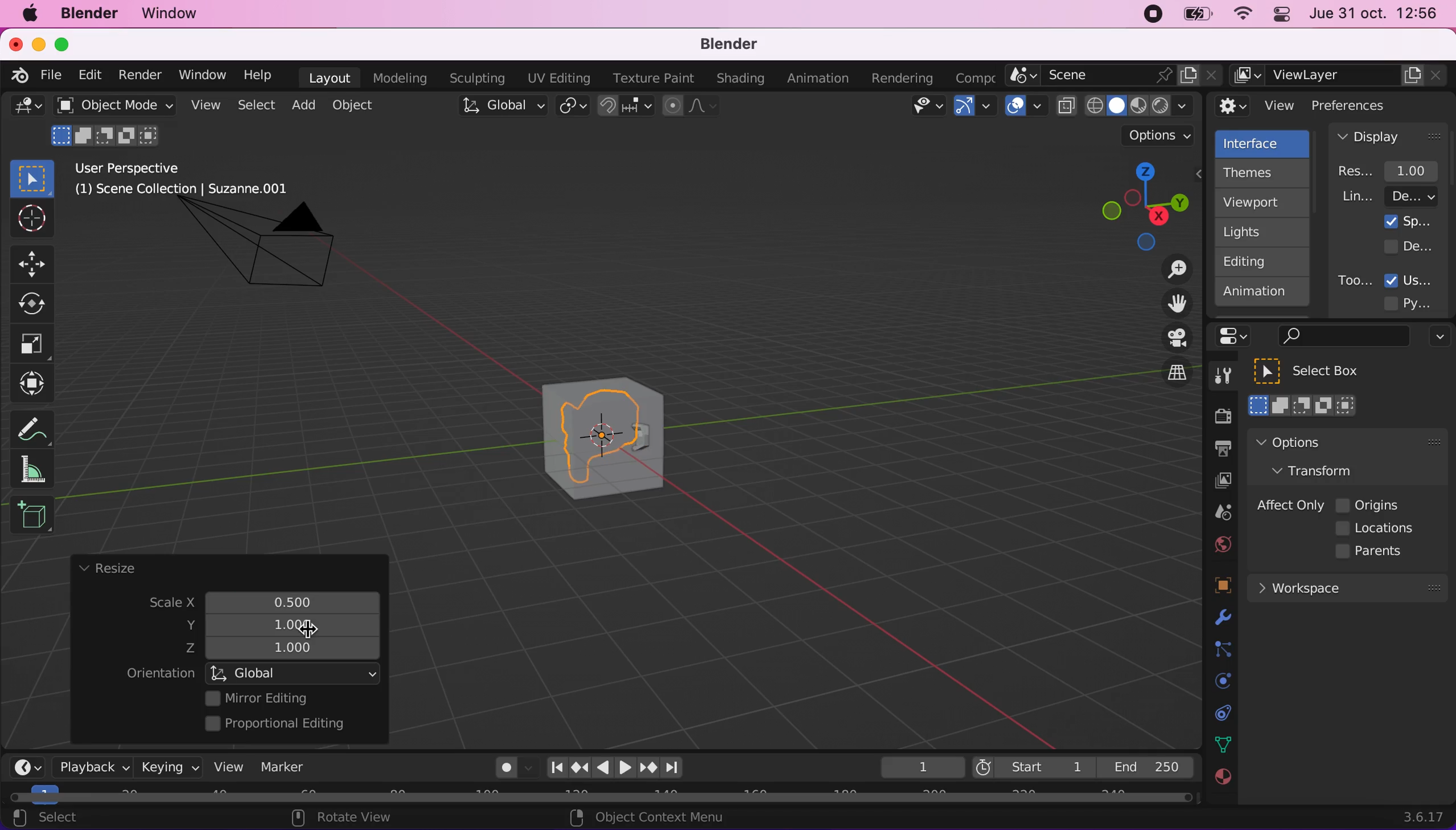 This screenshot has width=1456, height=830. I want to click on transform pivot point, so click(574, 107).